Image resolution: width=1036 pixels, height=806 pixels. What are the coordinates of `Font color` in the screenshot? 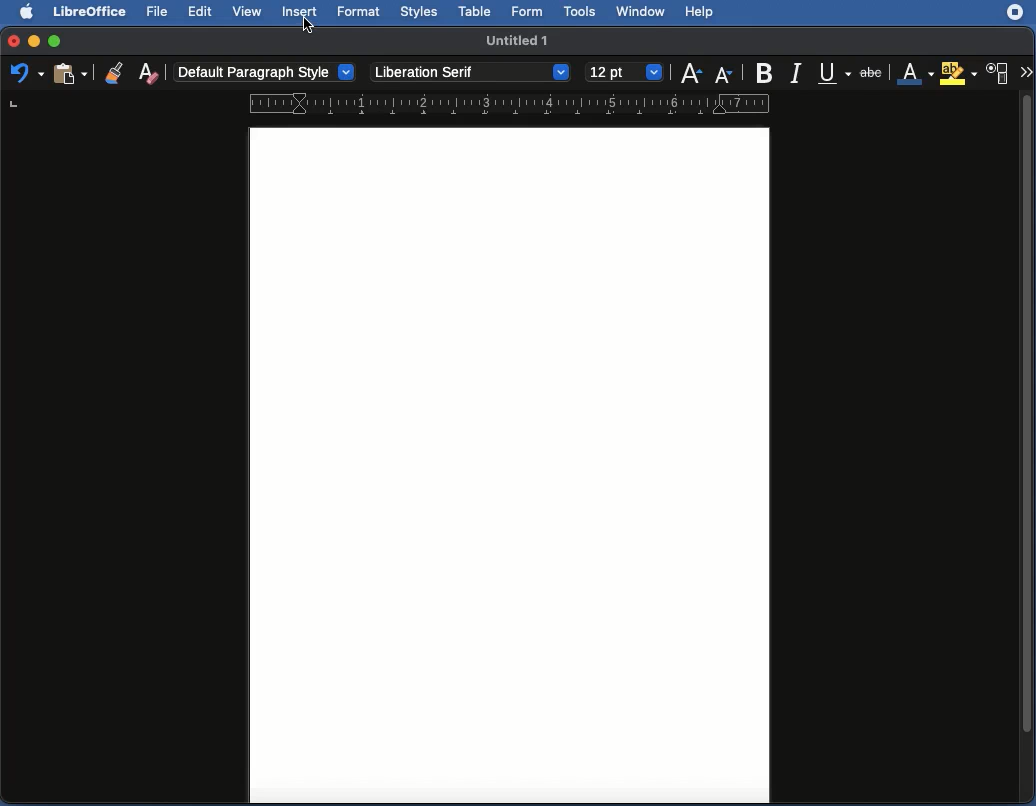 It's located at (914, 74).